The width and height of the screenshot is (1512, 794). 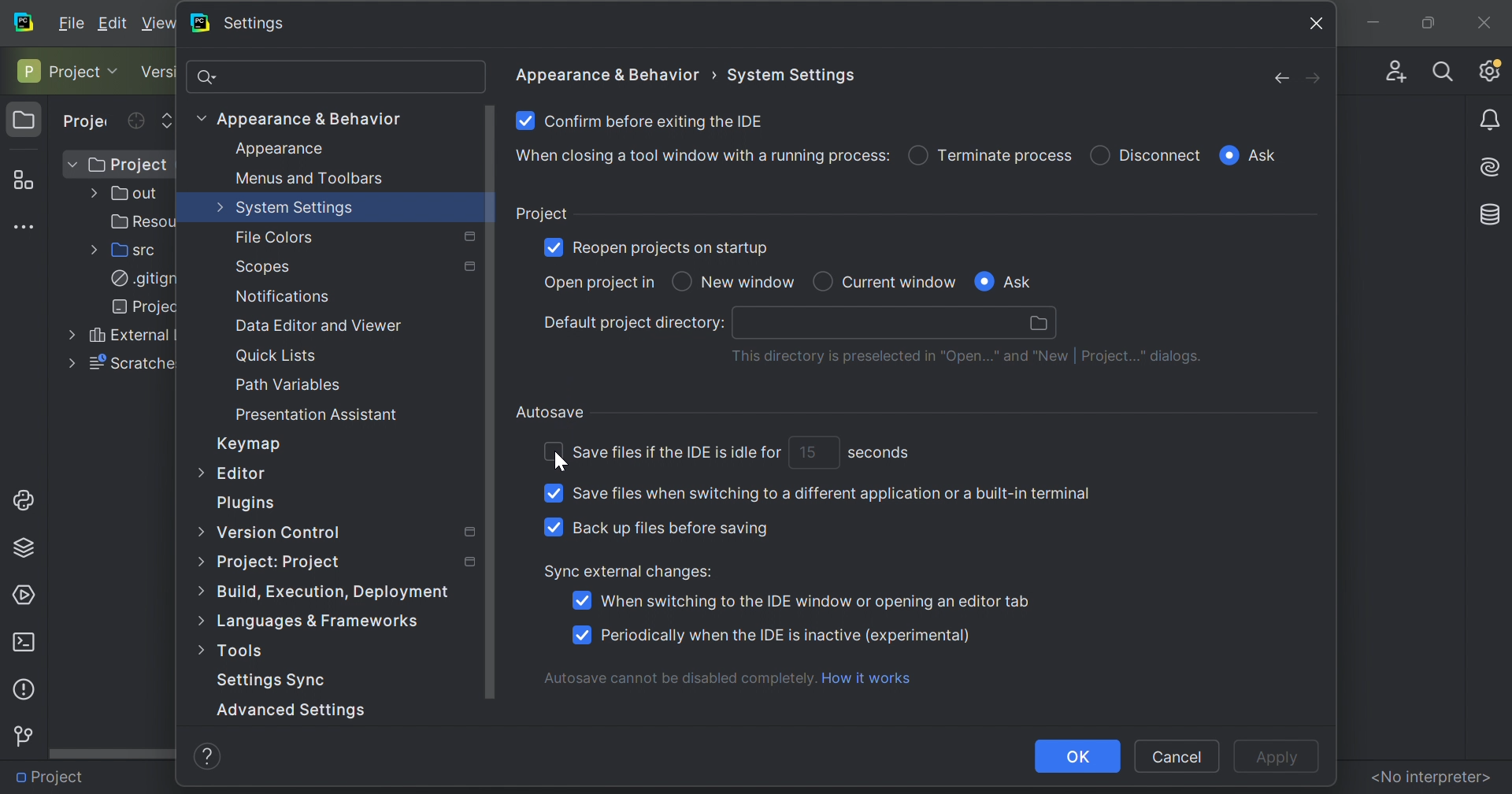 I want to click on More, so click(x=198, y=117).